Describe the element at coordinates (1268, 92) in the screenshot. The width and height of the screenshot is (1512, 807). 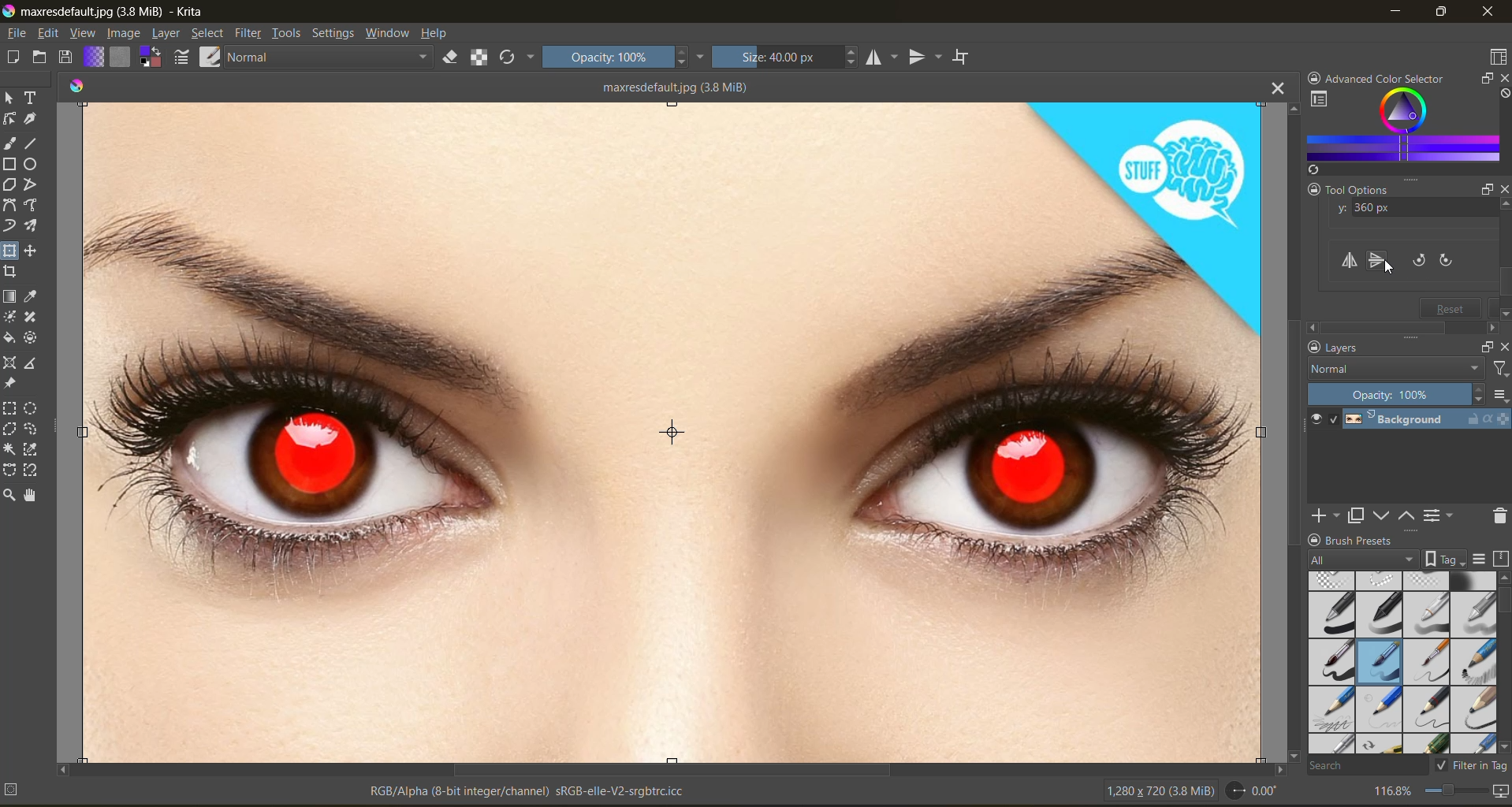
I see `close tab` at that location.